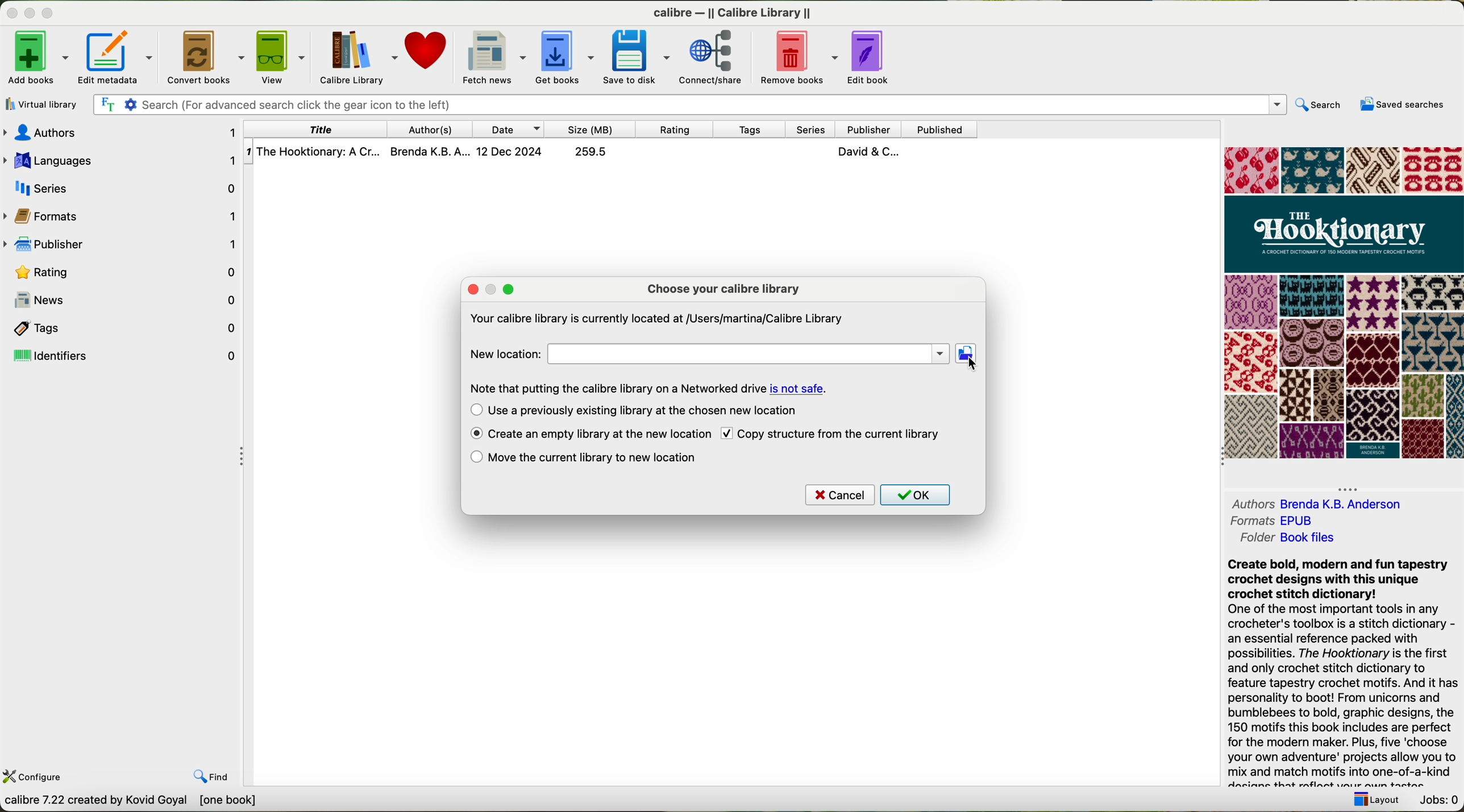  What do you see at coordinates (511, 128) in the screenshot?
I see `date` at bounding box center [511, 128].